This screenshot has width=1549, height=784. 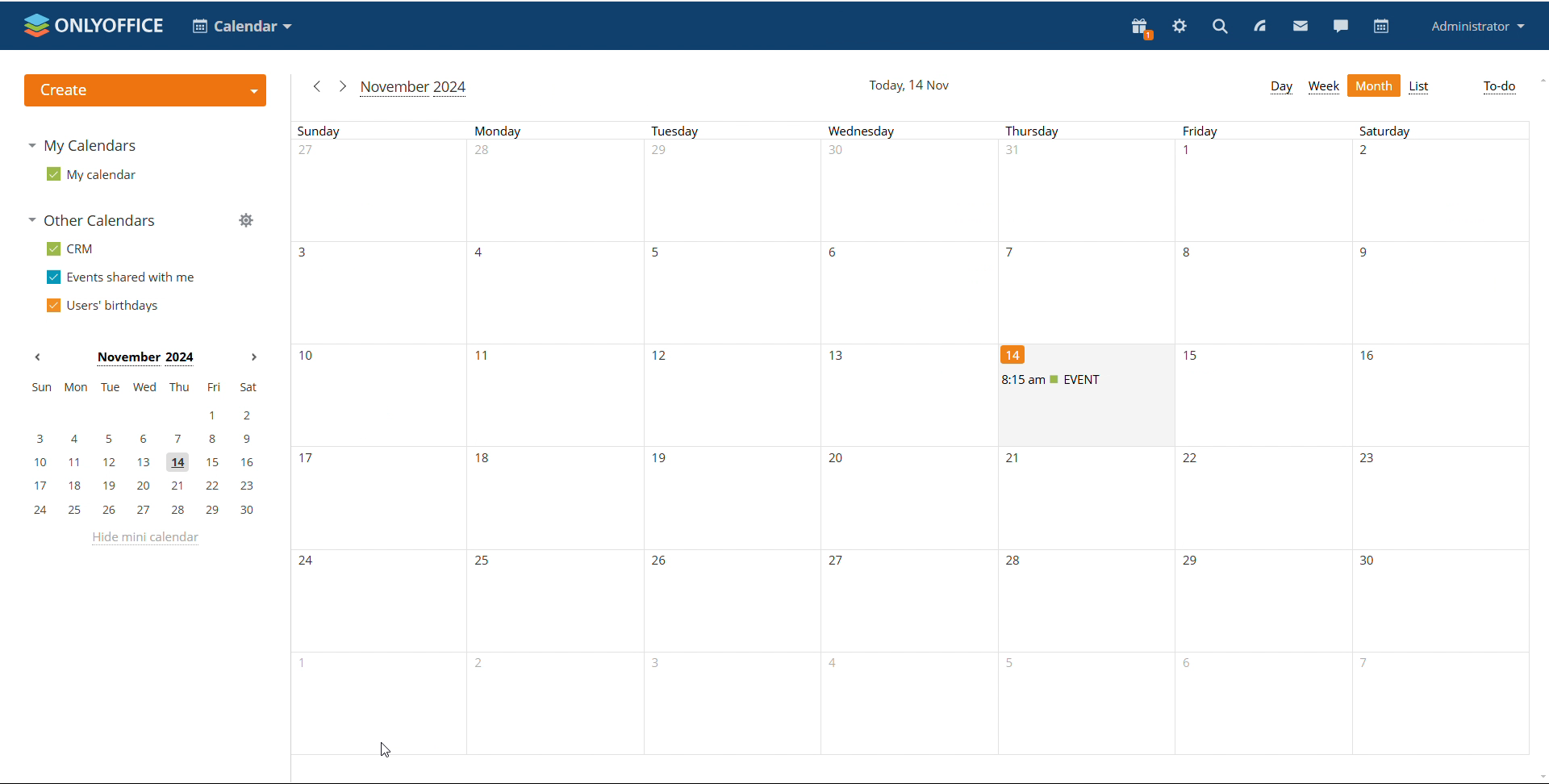 I want to click on current month, so click(x=415, y=88).